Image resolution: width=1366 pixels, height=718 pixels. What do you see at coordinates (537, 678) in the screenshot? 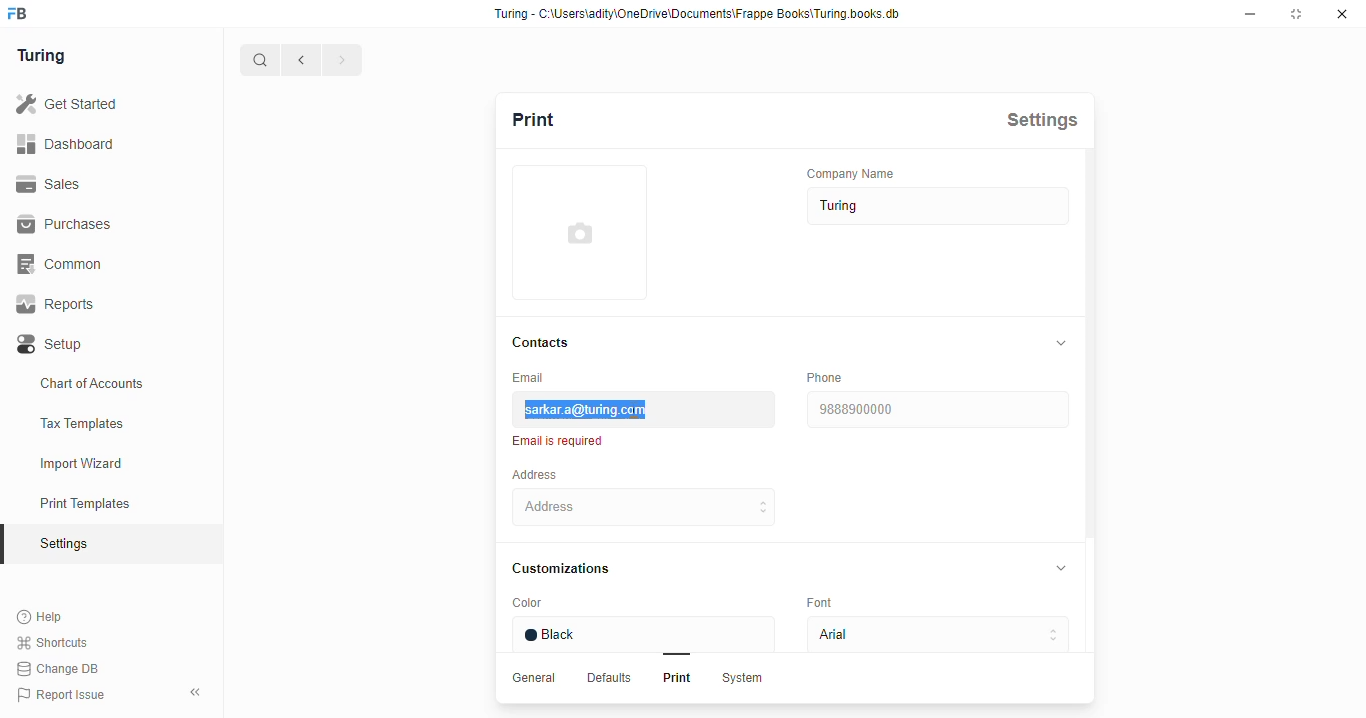
I see `General` at bounding box center [537, 678].